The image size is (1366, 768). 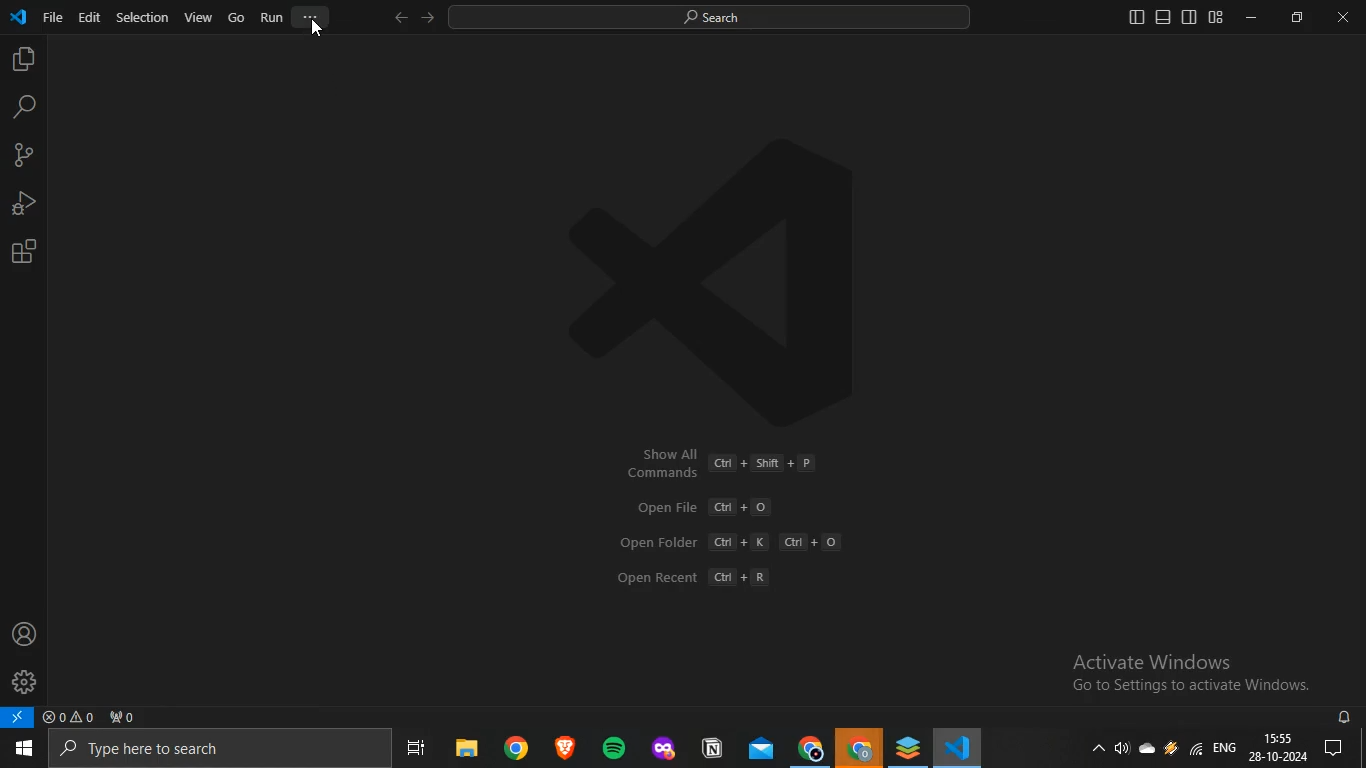 What do you see at coordinates (959, 749) in the screenshot?
I see `VScode` at bounding box center [959, 749].